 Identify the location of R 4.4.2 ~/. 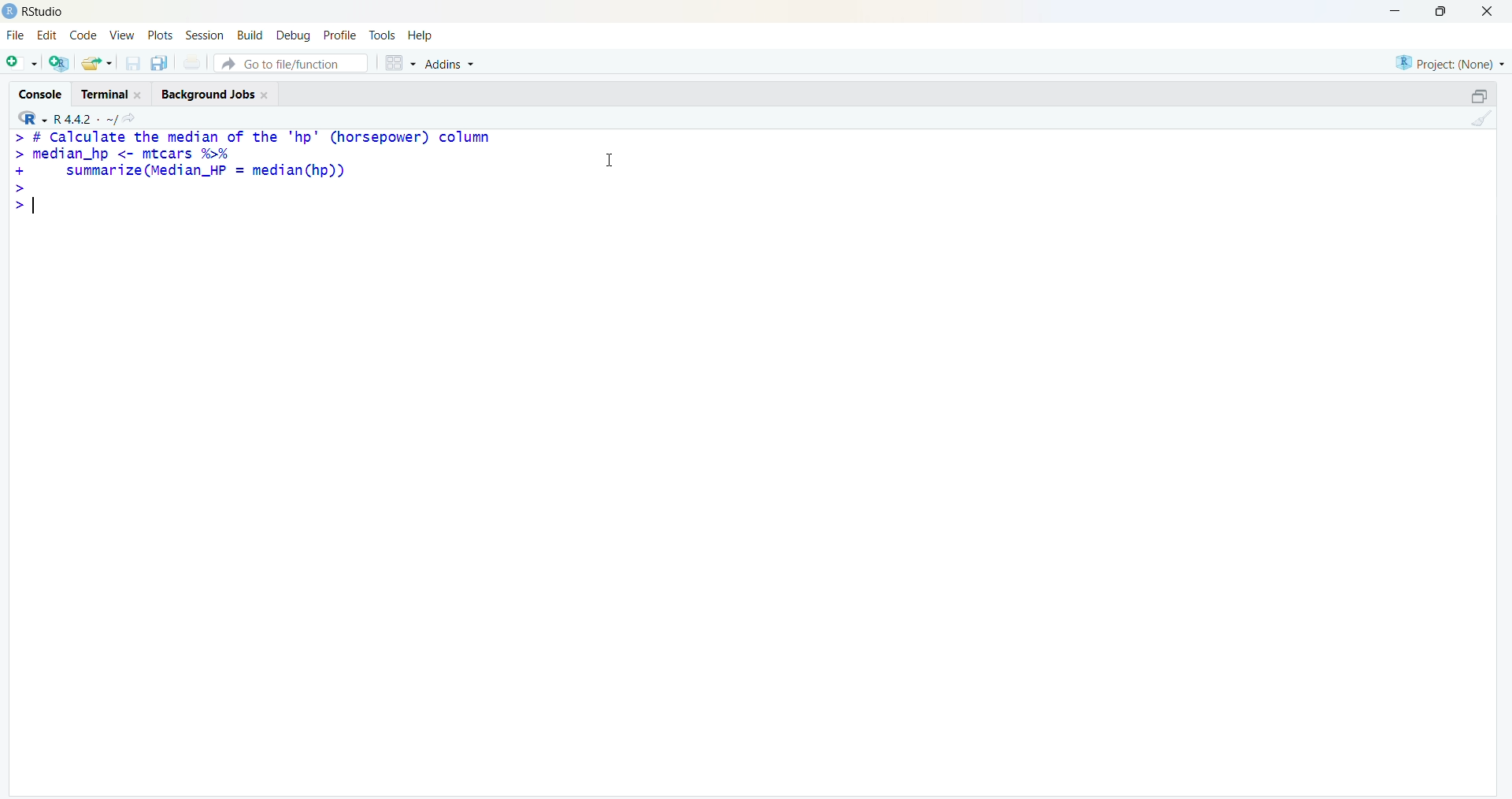
(87, 119).